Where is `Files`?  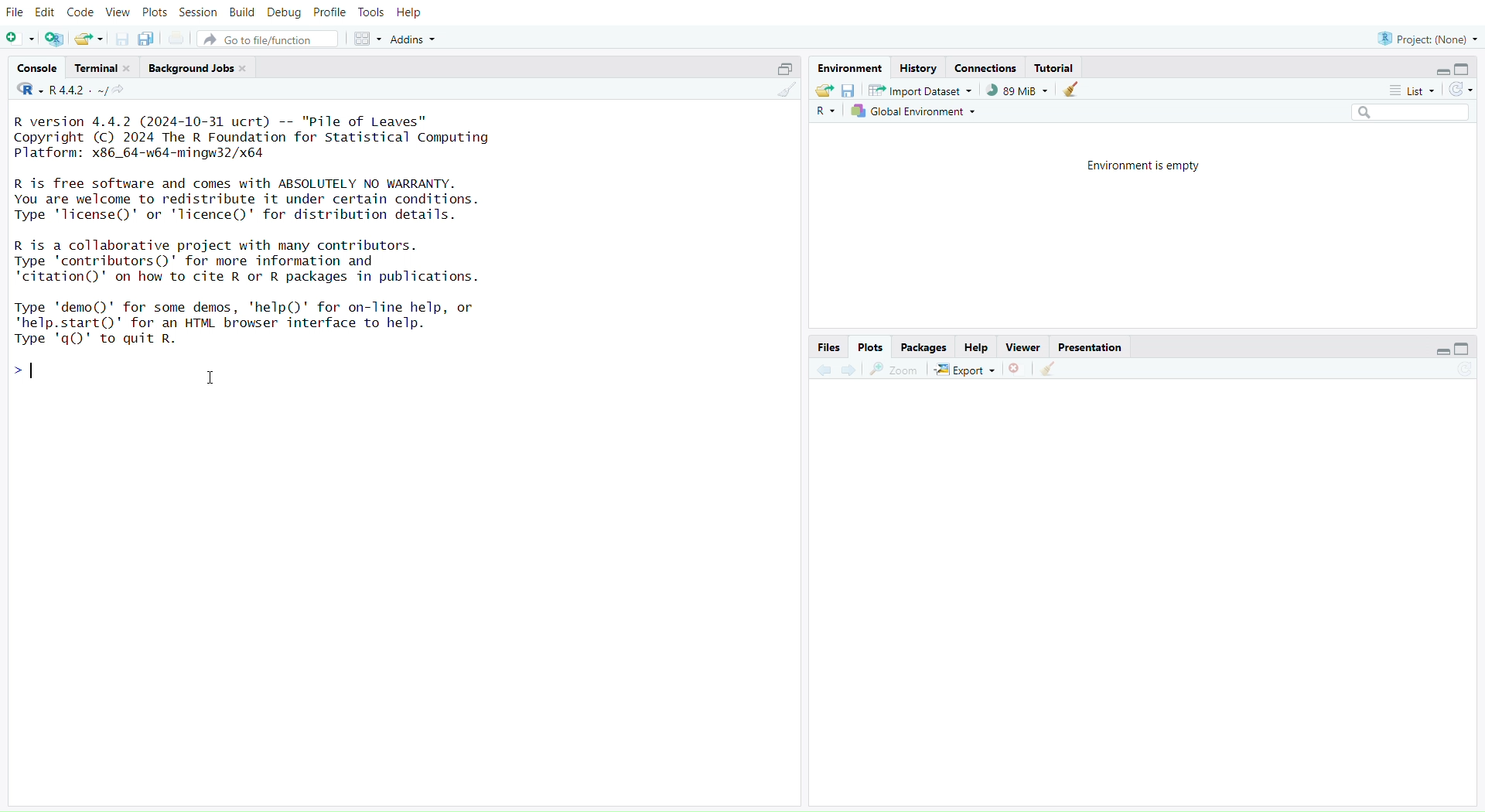
Files is located at coordinates (828, 346).